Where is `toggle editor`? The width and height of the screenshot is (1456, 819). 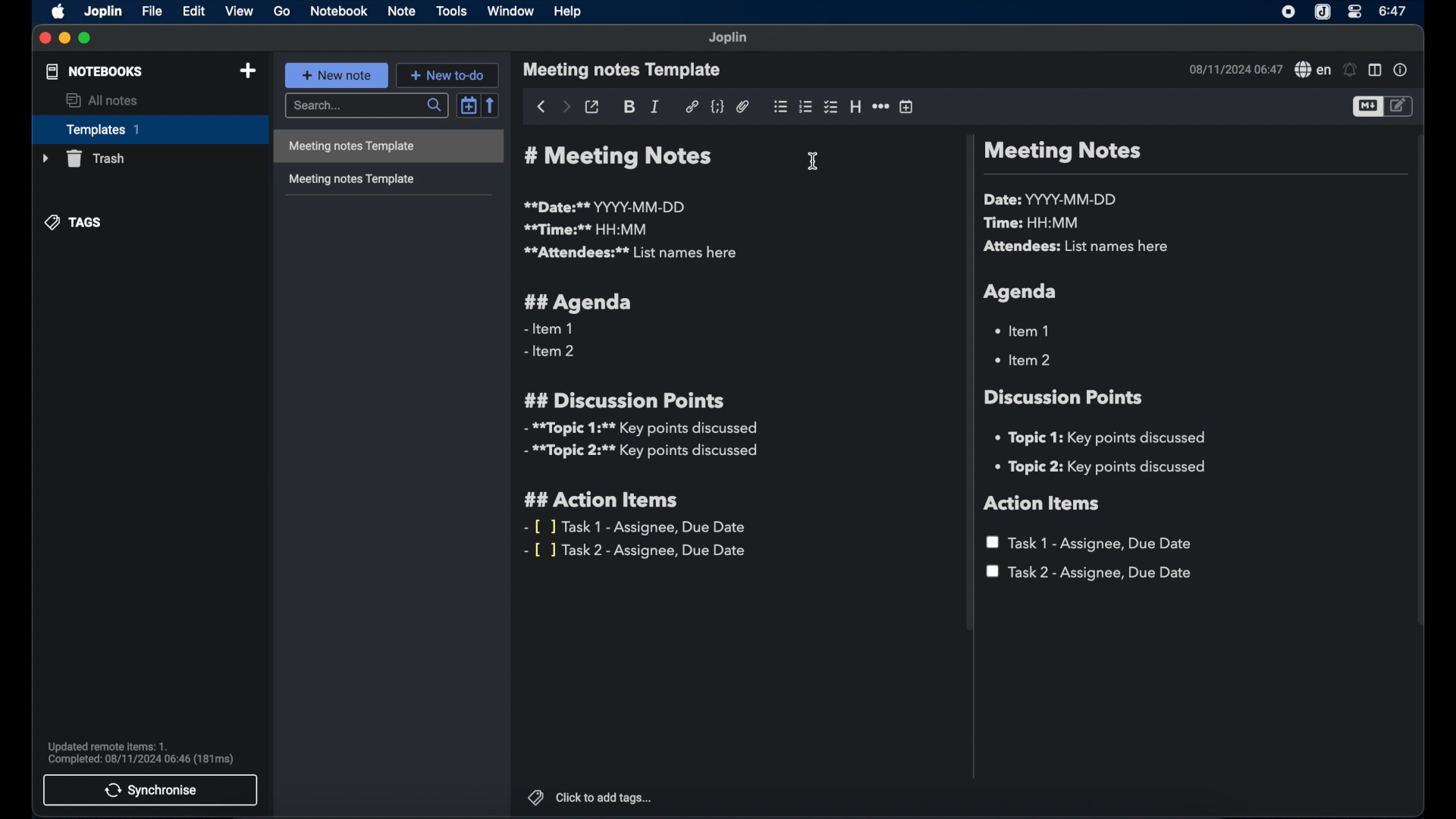 toggle editor is located at coordinates (1399, 106).